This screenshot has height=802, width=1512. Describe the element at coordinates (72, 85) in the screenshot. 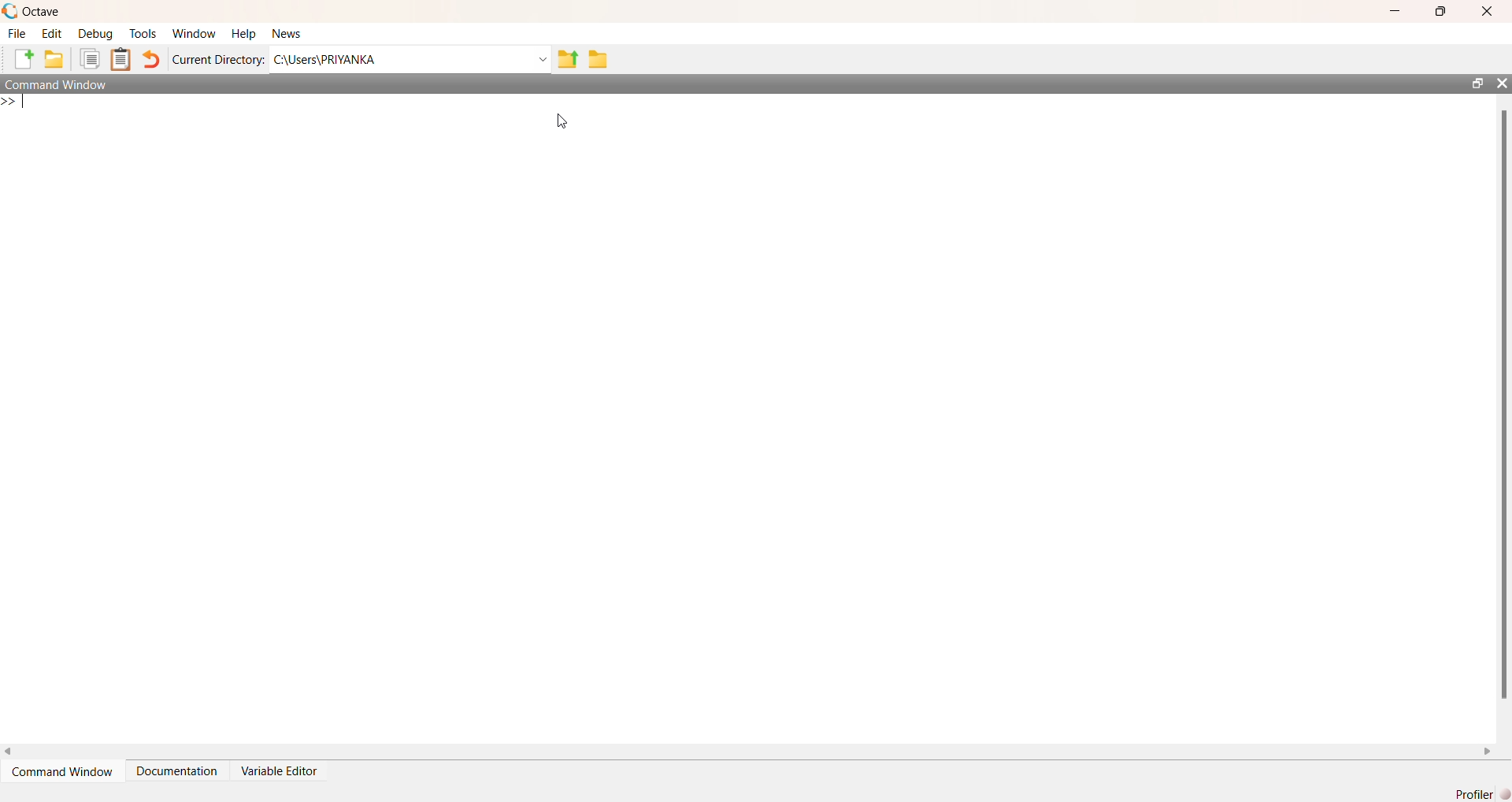

I see `command window` at that location.